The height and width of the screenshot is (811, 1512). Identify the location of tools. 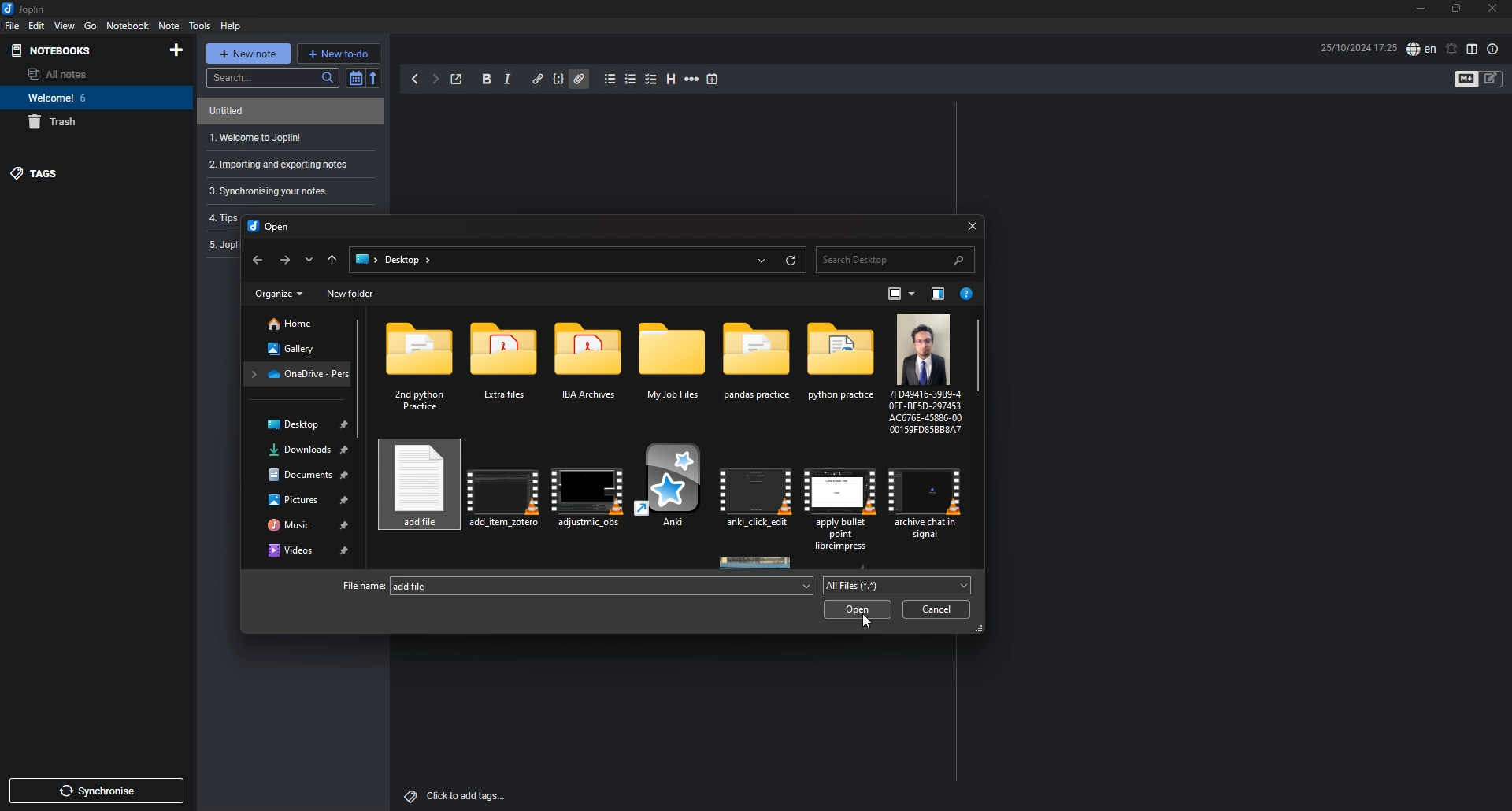
(200, 26).